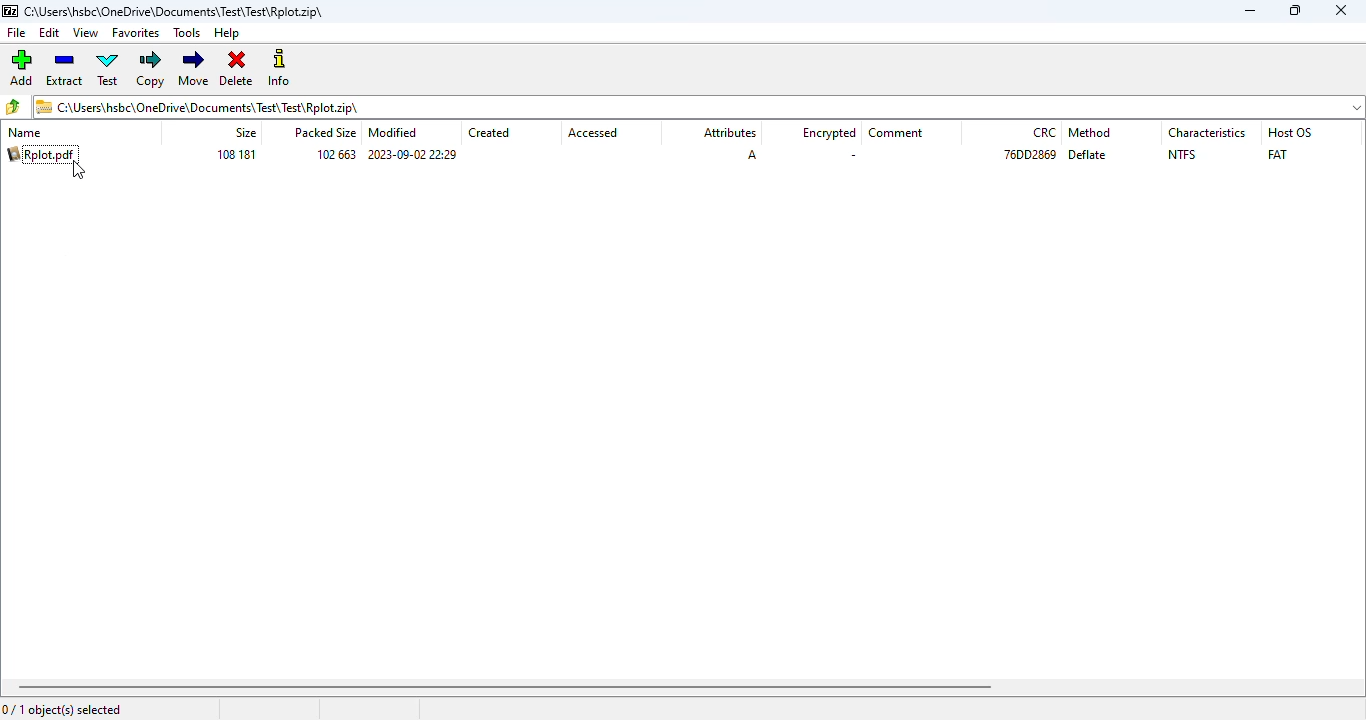  I want to click on copy, so click(150, 69).